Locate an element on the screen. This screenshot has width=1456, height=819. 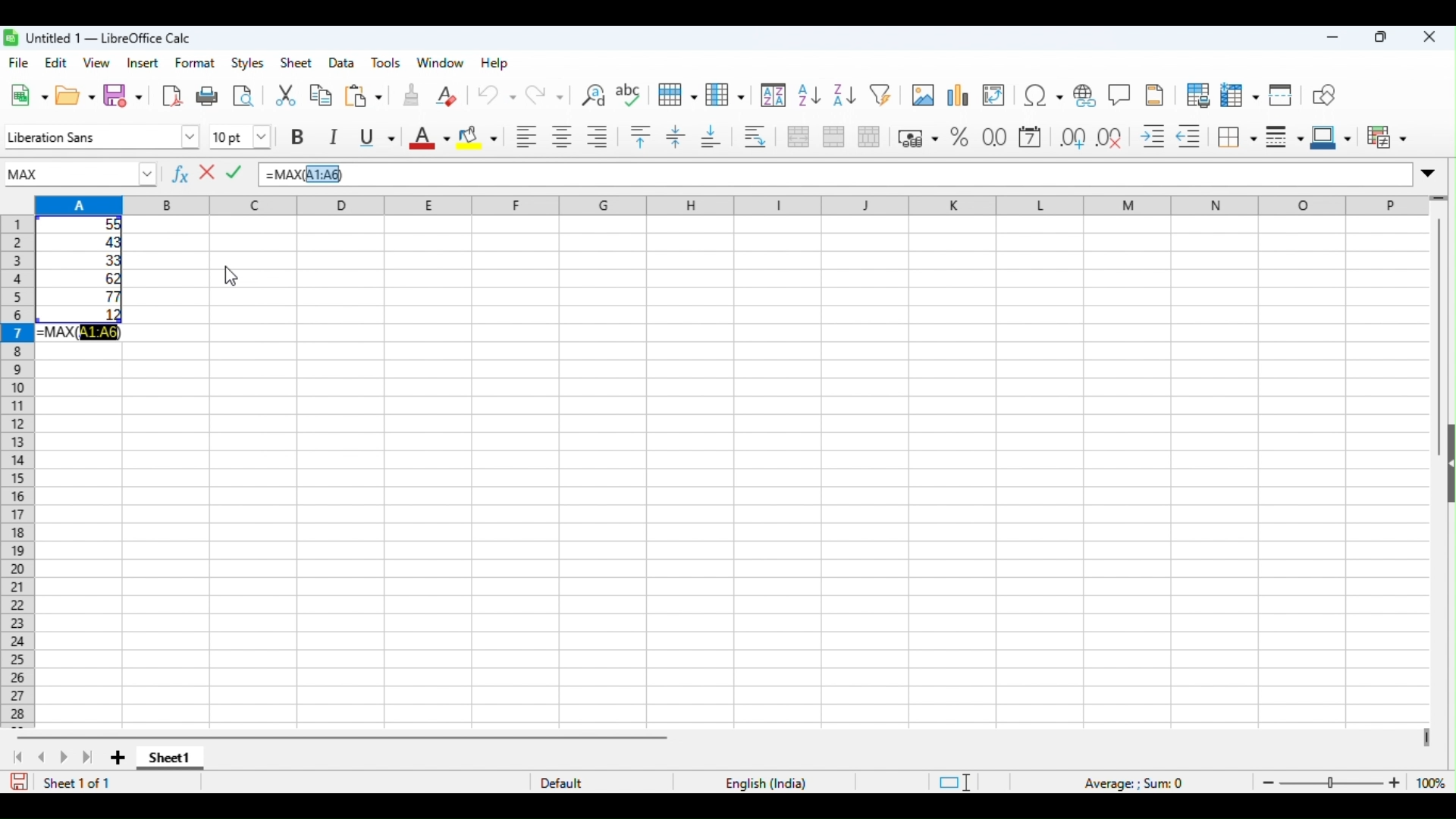
insert image is located at coordinates (924, 93).